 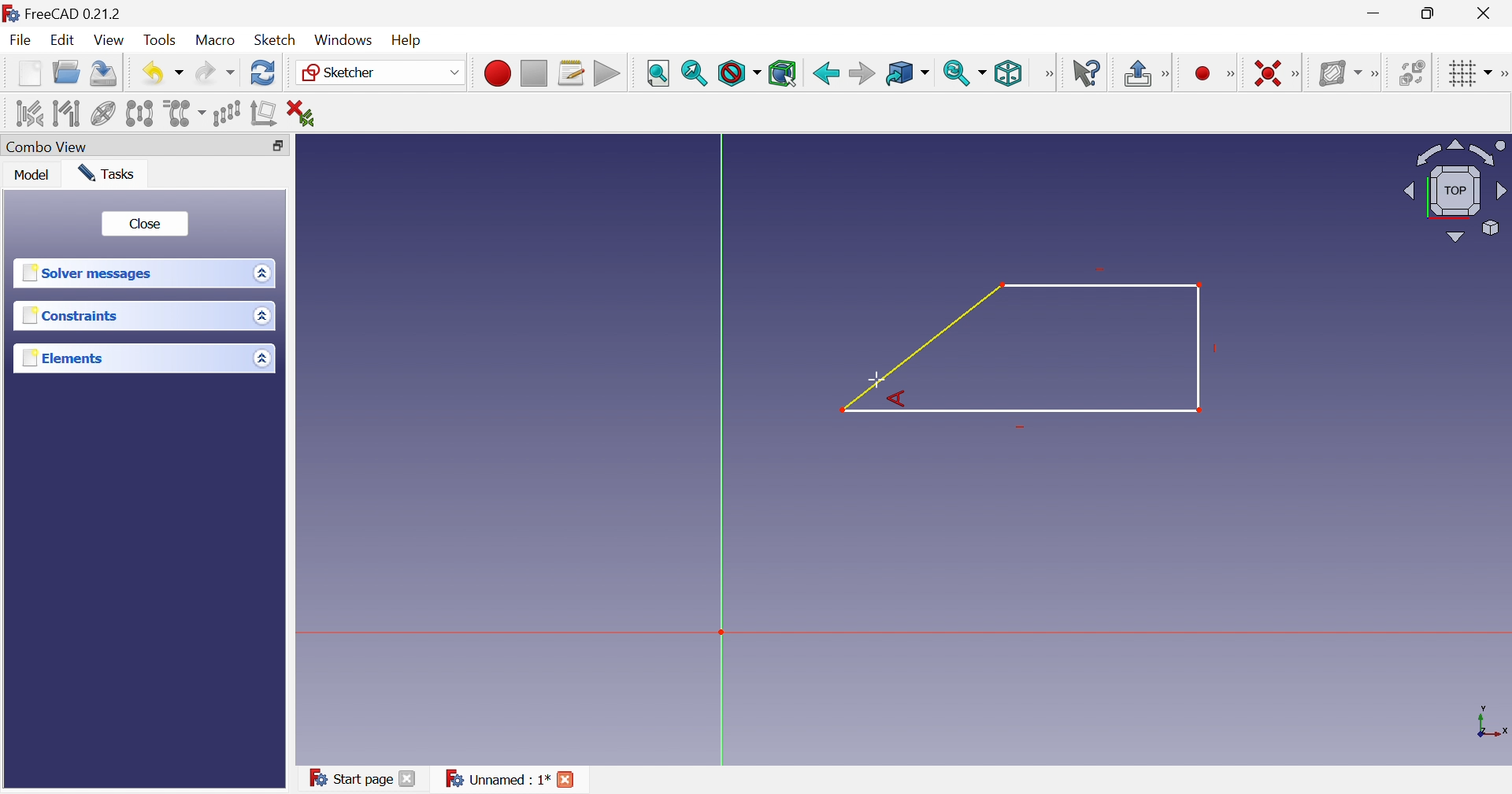 What do you see at coordinates (1262, 71) in the screenshot?
I see `Constraint Horizontally` at bounding box center [1262, 71].